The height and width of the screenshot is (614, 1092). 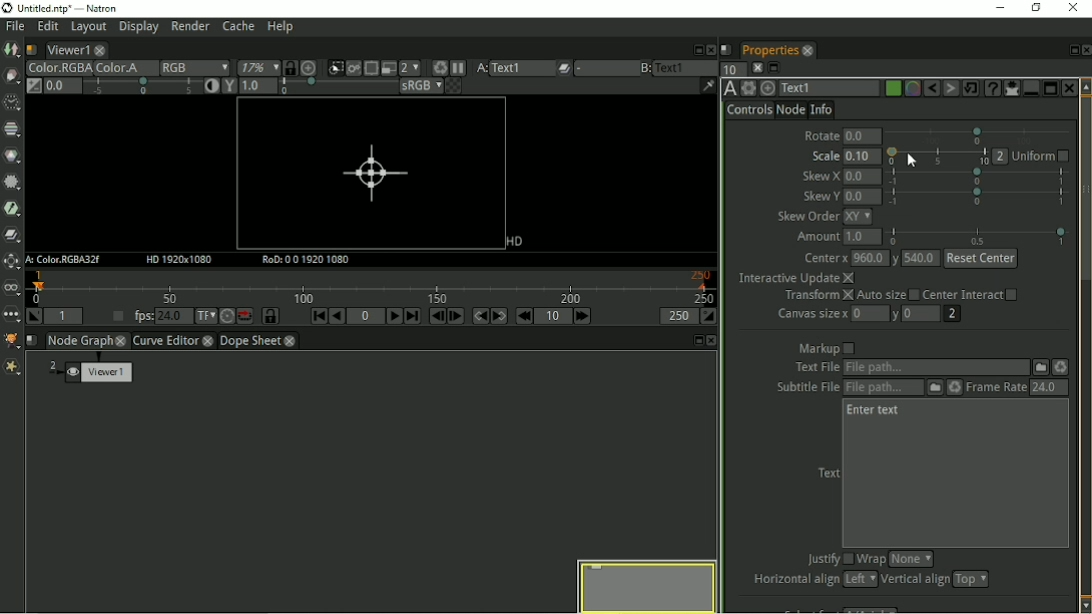 What do you see at coordinates (664, 68) in the screenshot?
I see `Viewer input B` at bounding box center [664, 68].